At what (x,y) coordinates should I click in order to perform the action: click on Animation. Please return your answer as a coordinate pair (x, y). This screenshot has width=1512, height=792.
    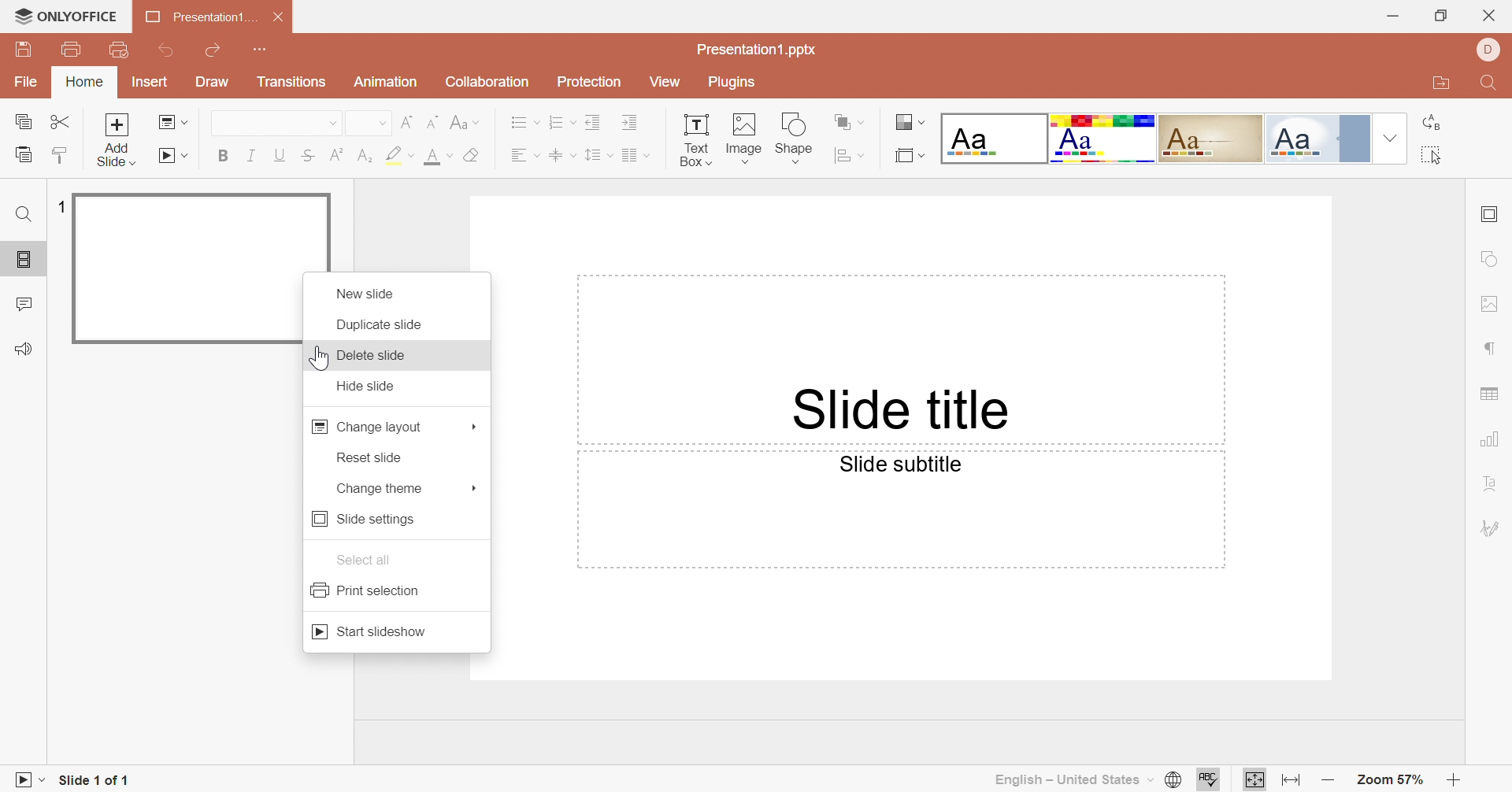
    Looking at the image, I should click on (387, 82).